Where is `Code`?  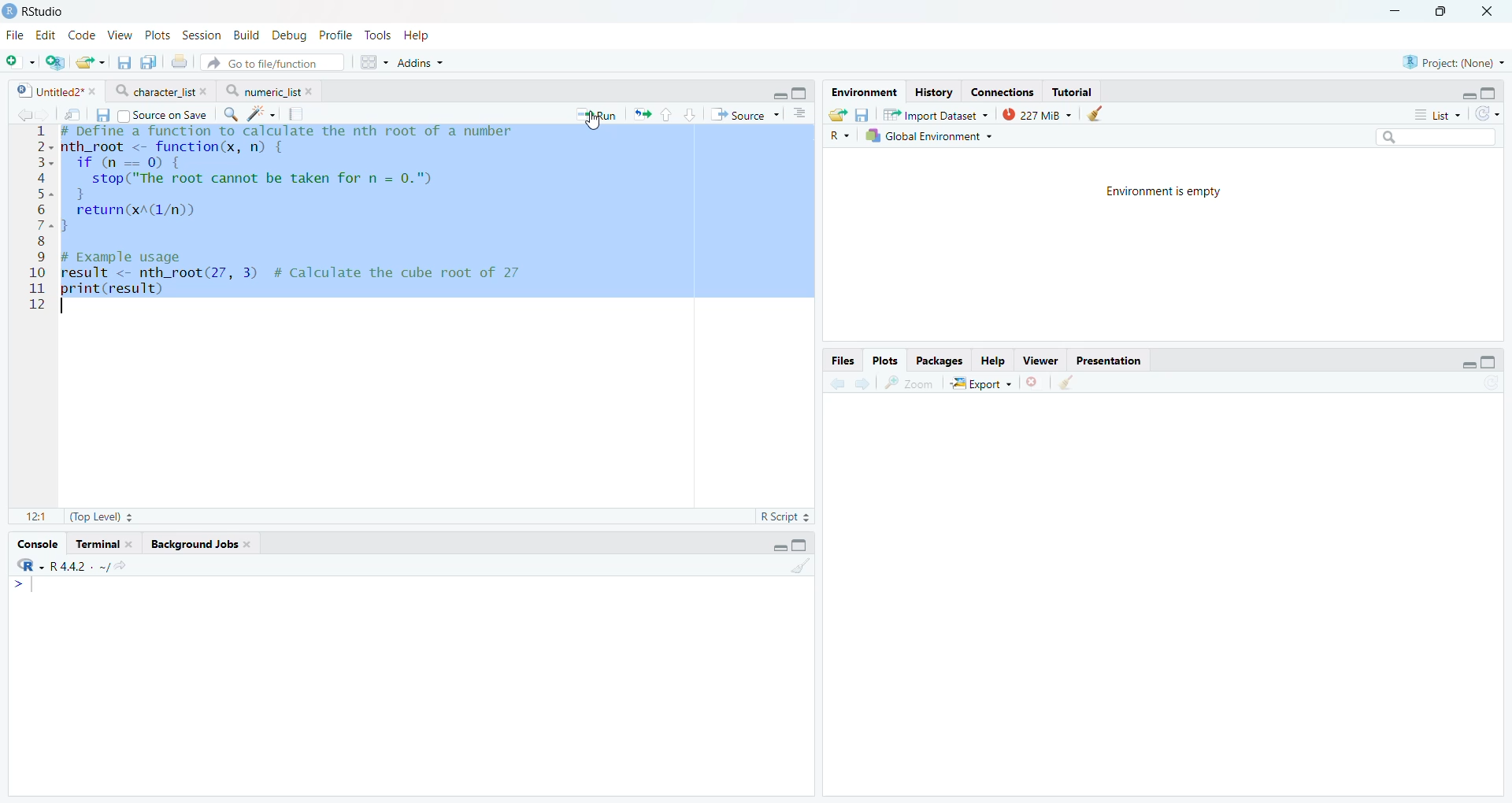
Code is located at coordinates (82, 35).